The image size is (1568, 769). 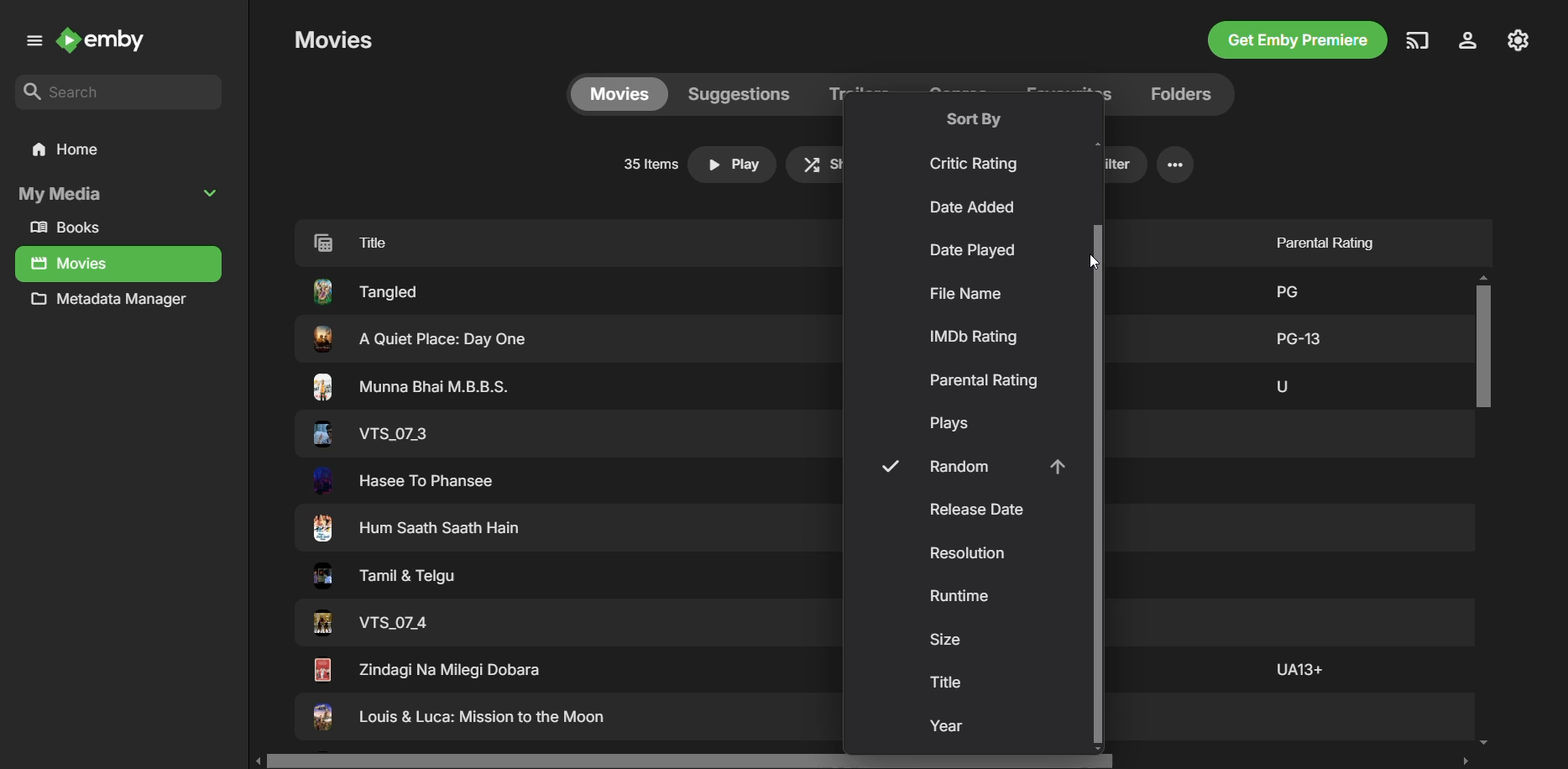 I want to click on , so click(x=1299, y=336).